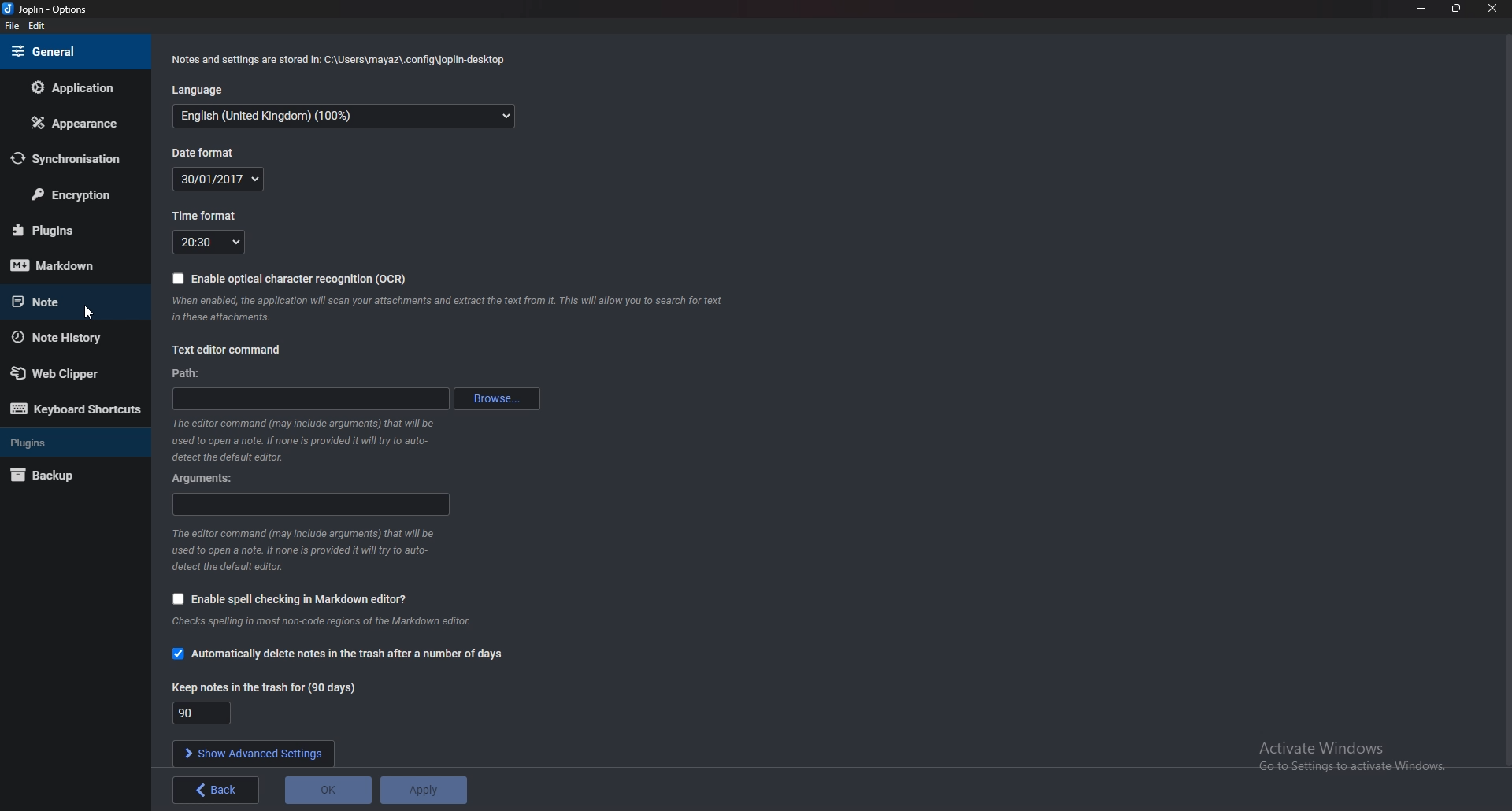  I want to click on Appearance, so click(75, 122).